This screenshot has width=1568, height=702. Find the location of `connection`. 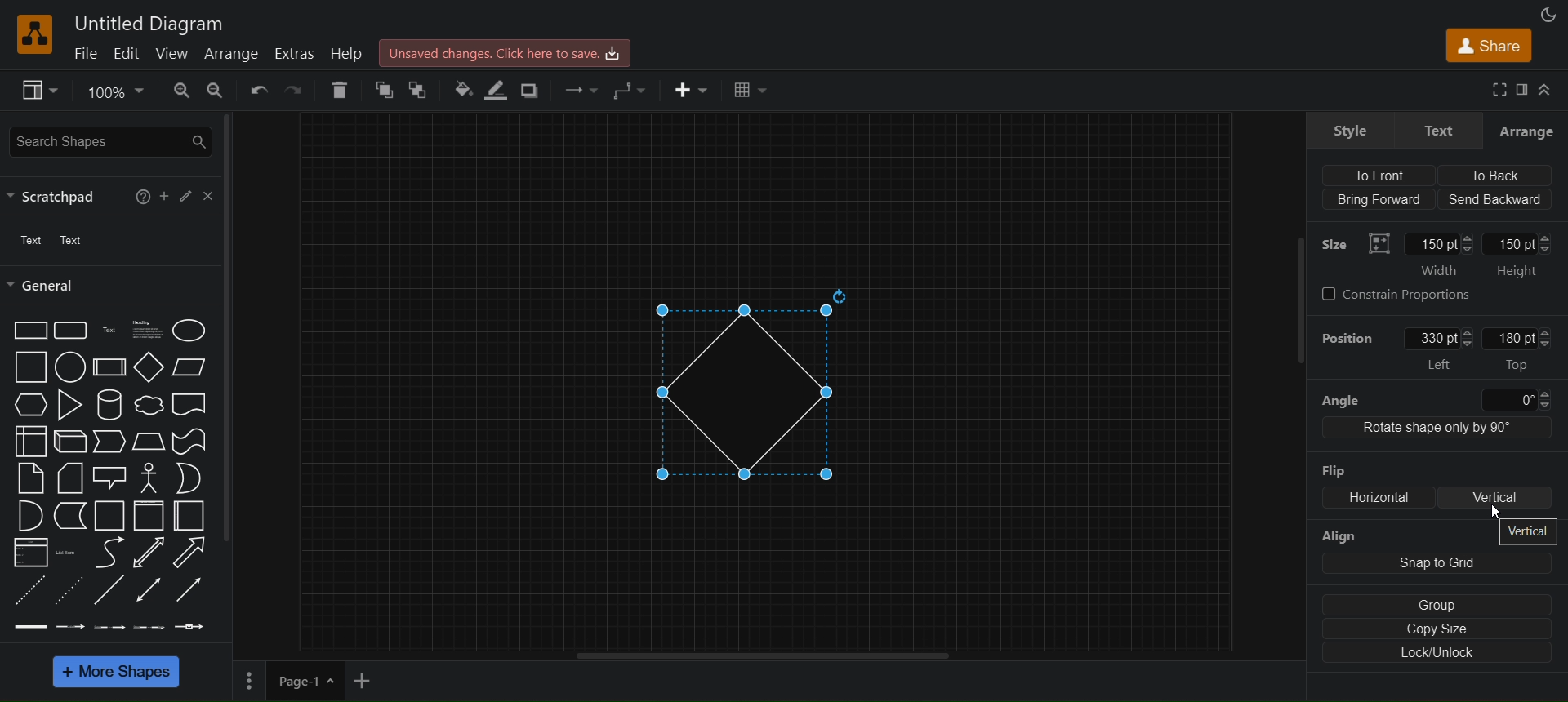

connection is located at coordinates (581, 90).